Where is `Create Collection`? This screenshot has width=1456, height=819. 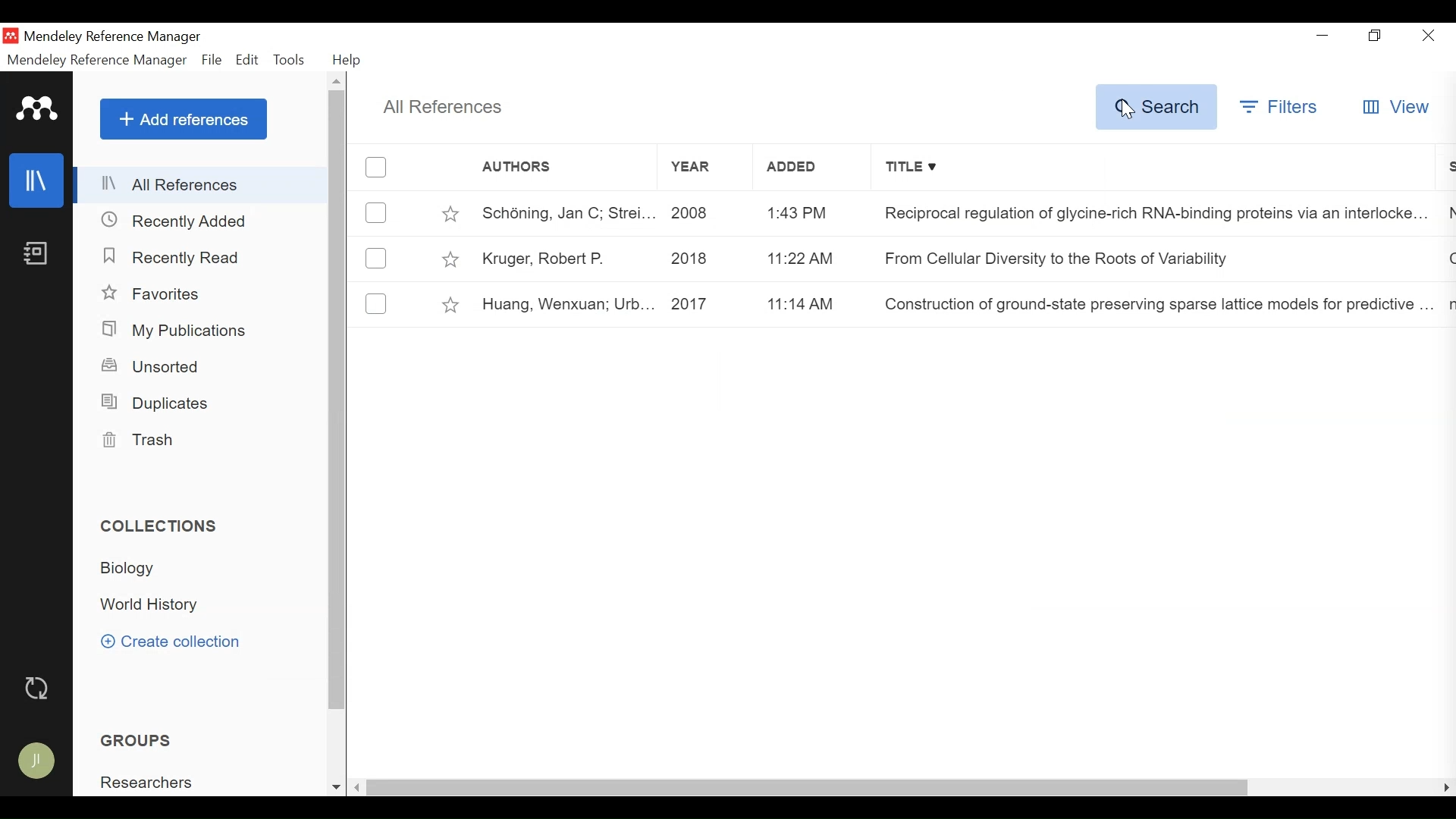 Create Collection is located at coordinates (170, 643).